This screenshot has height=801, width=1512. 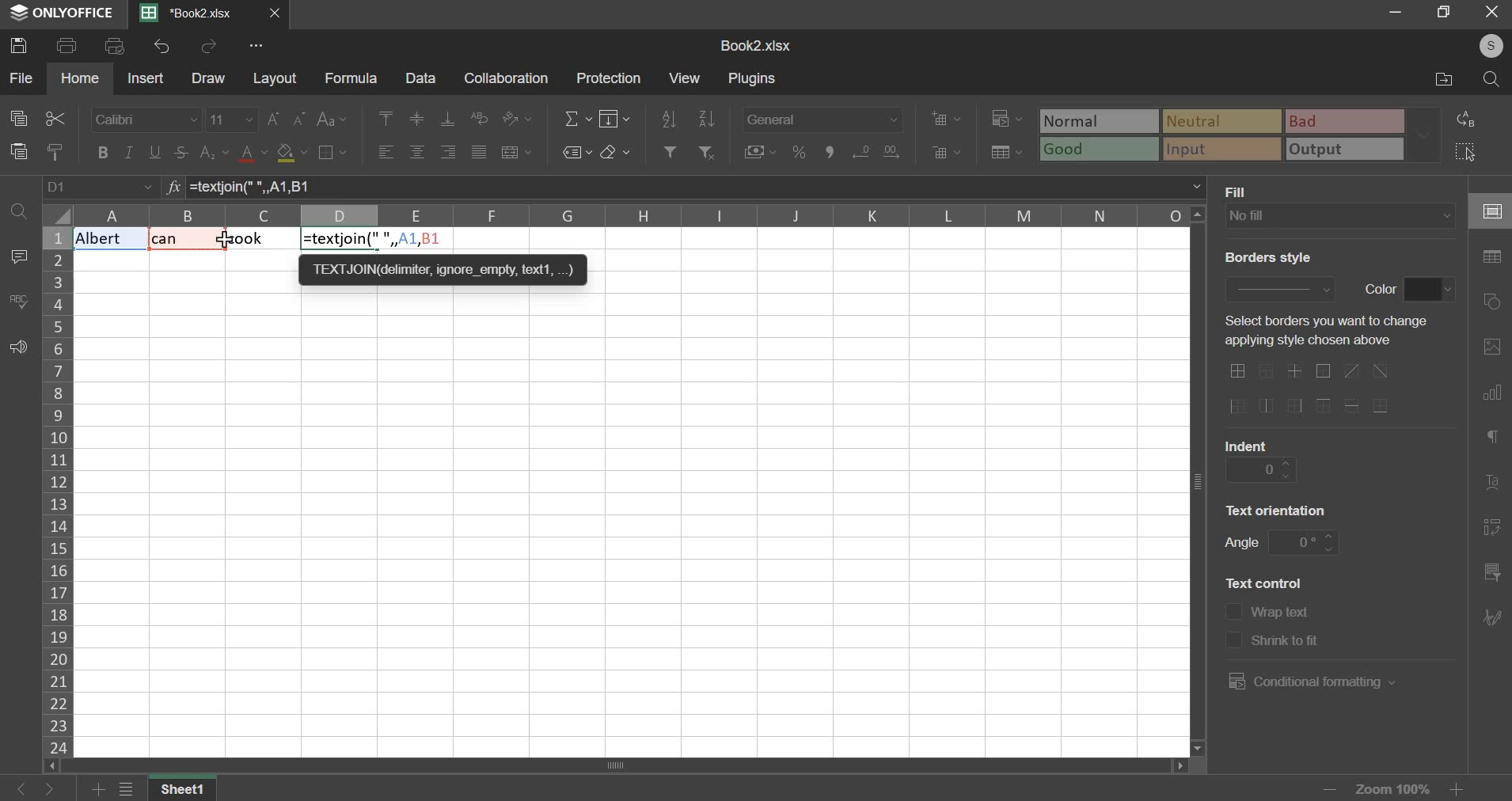 I want to click on paragraph, so click(x=1491, y=439).